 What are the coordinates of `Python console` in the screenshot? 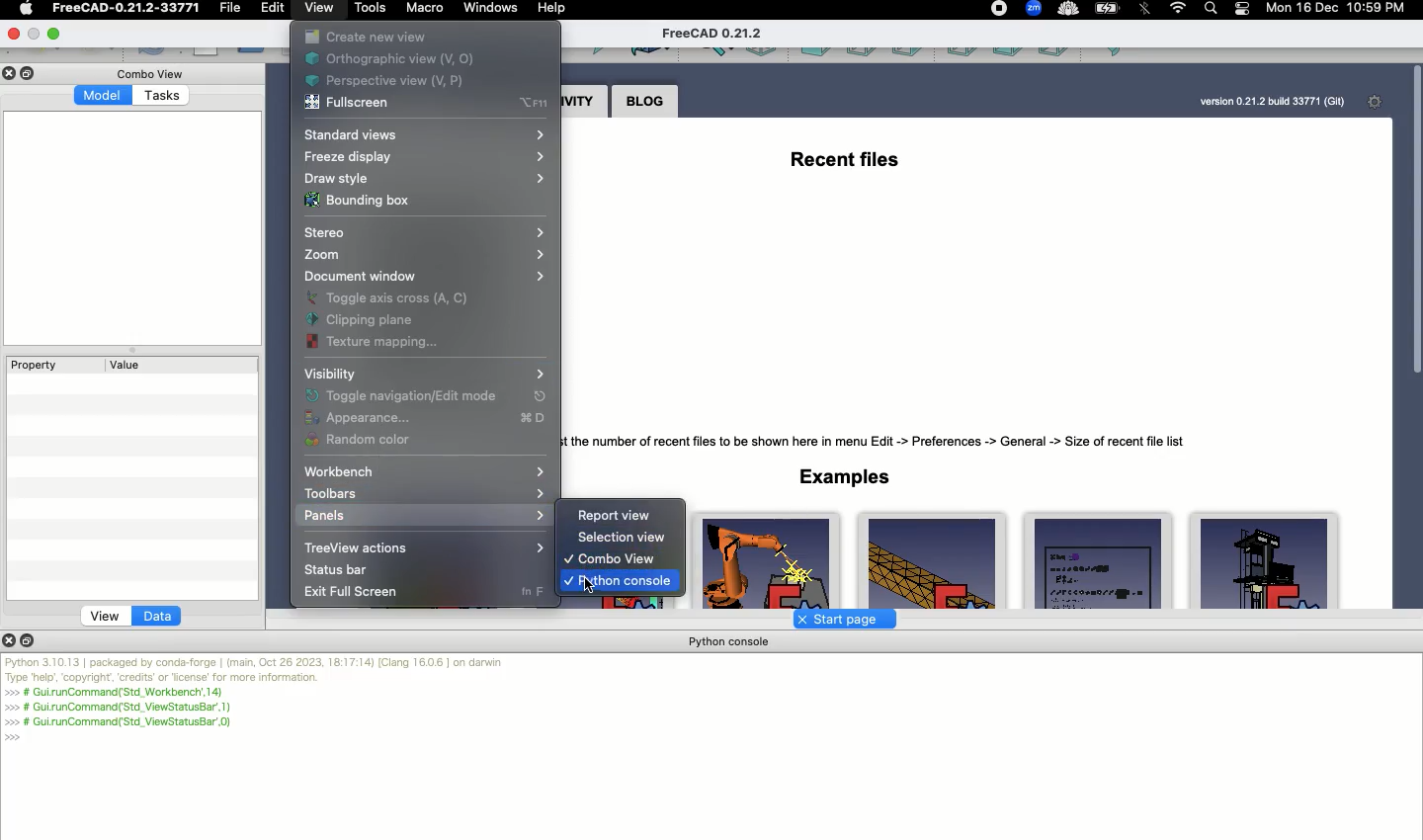 It's located at (730, 642).